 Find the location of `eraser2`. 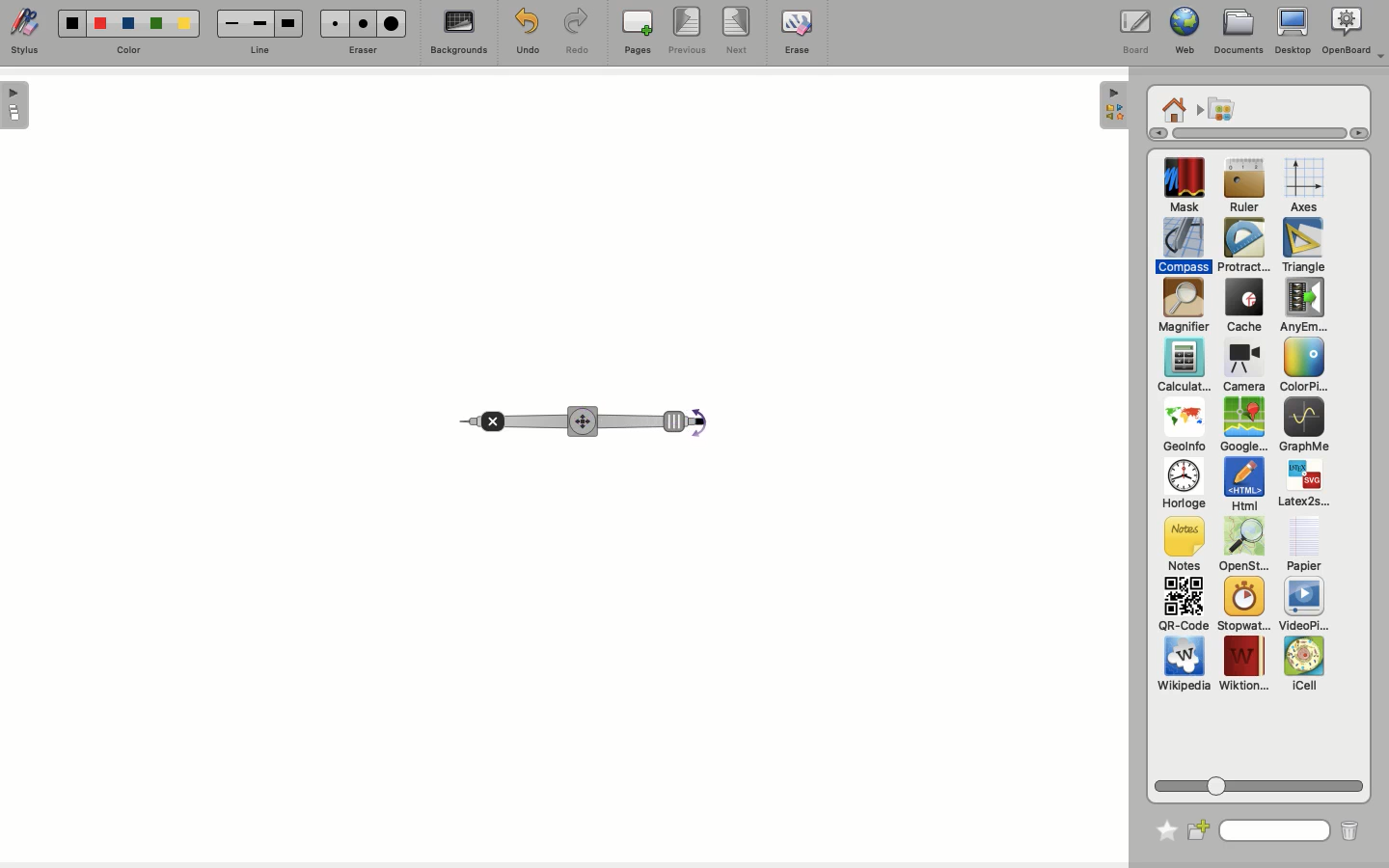

eraser2 is located at coordinates (363, 23).